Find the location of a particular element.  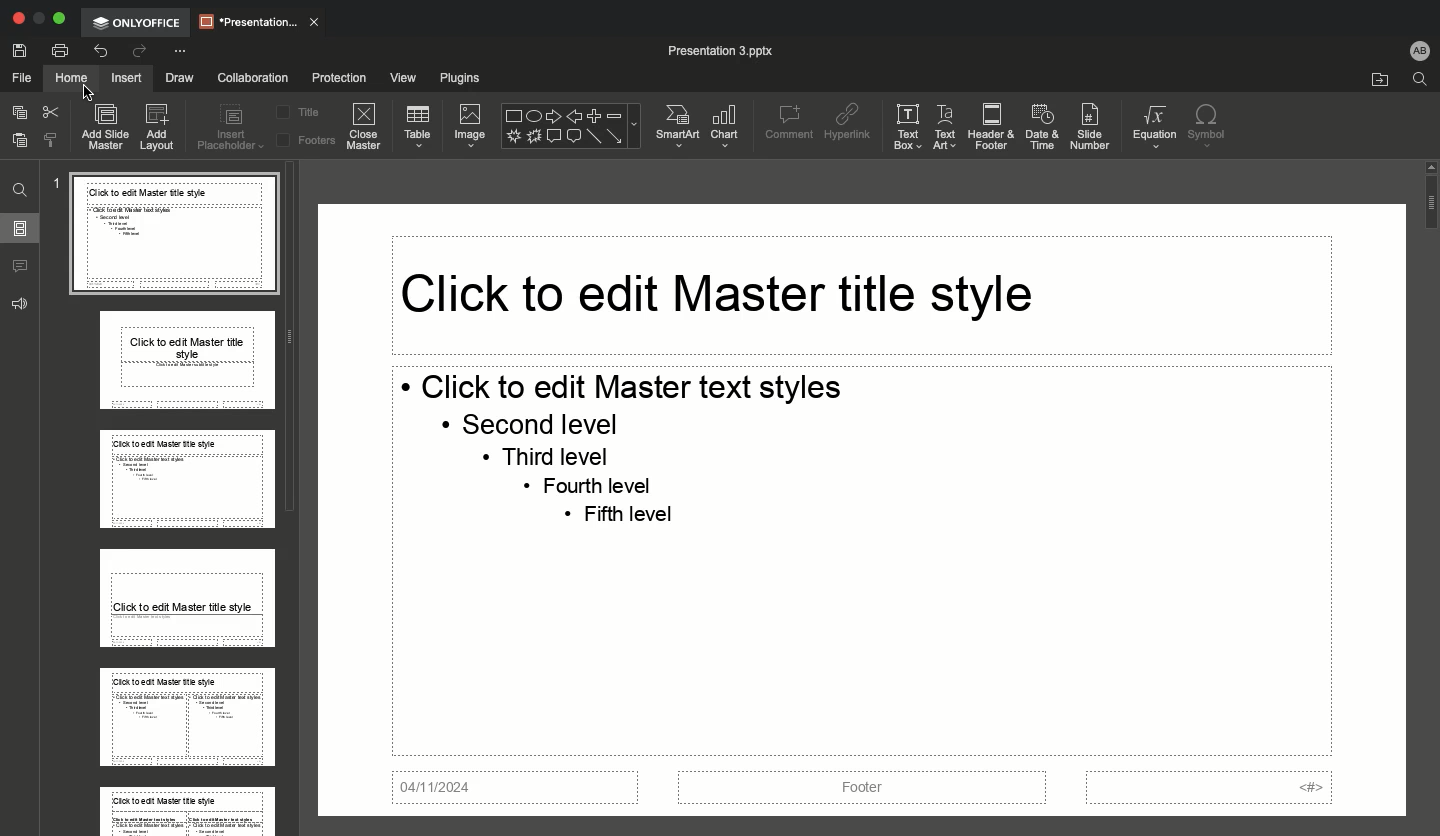

Rounded Rectangular callout is located at coordinates (575, 136).